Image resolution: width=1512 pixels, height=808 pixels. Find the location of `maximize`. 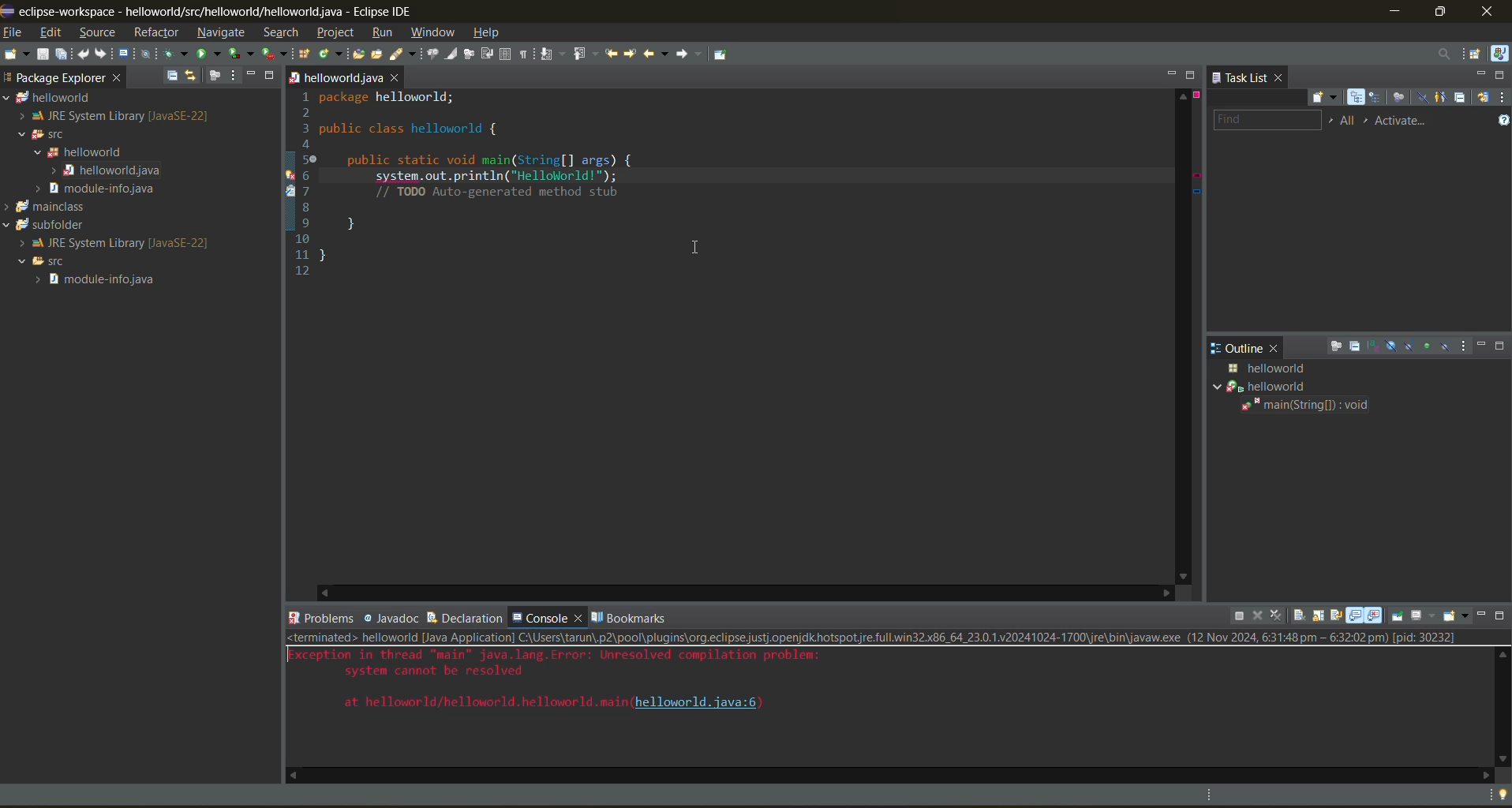

maximize is located at coordinates (1503, 346).